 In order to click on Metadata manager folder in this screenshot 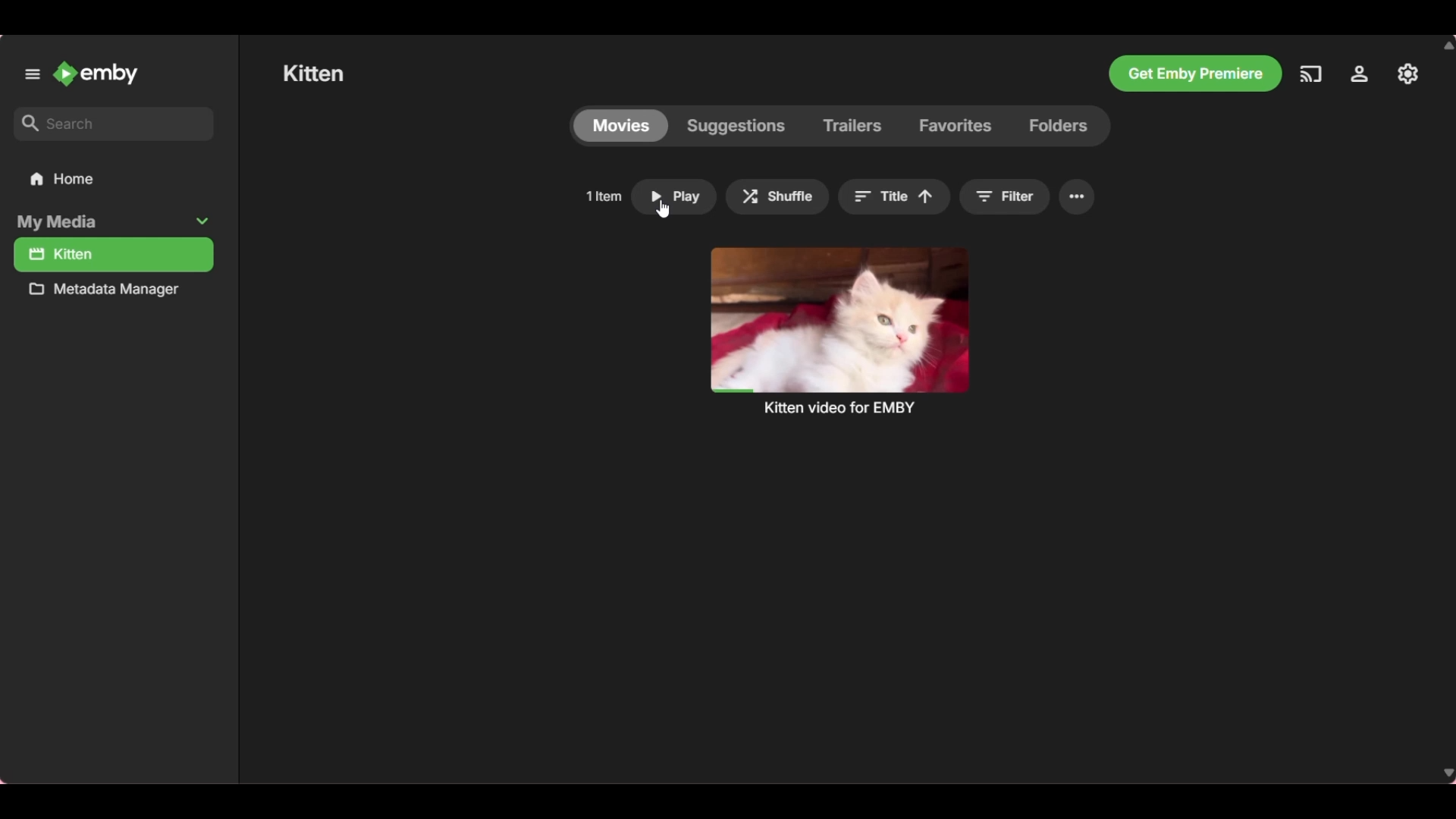, I will do `click(110, 290)`.